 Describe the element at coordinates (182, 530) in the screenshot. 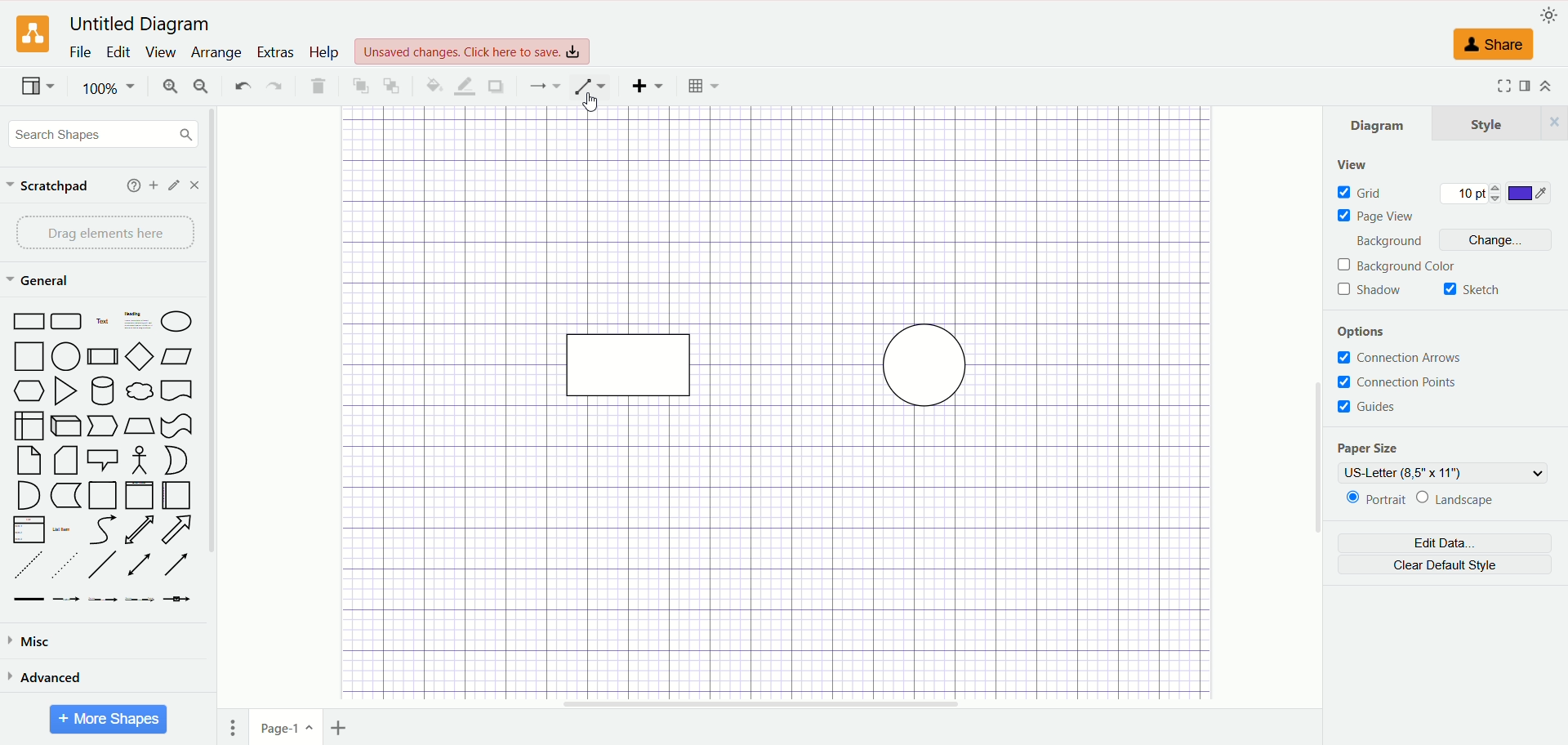

I see `Arrow` at that location.